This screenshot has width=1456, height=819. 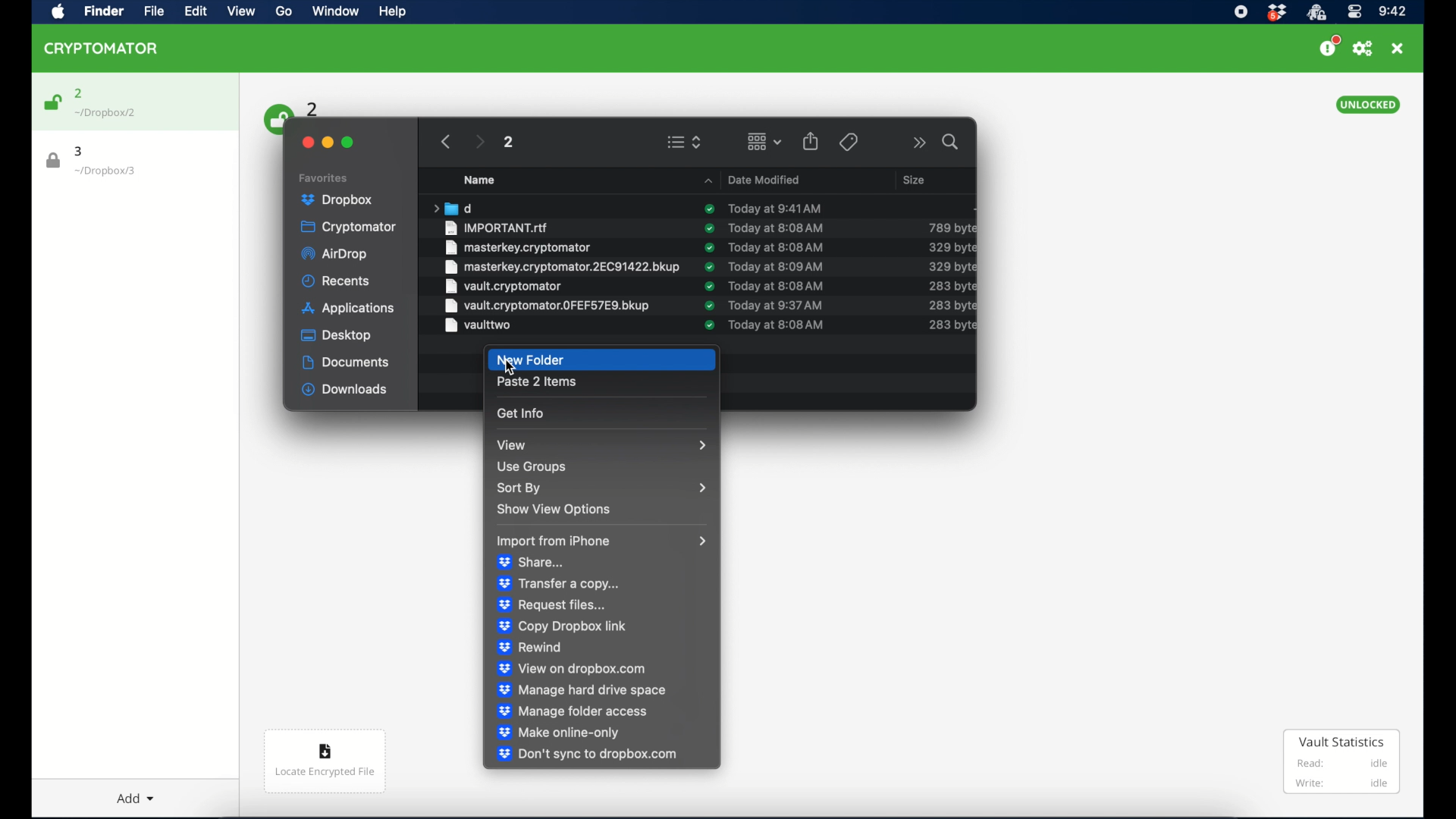 What do you see at coordinates (80, 151) in the screenshot?
I see `3` at bounding box center [80, 151].